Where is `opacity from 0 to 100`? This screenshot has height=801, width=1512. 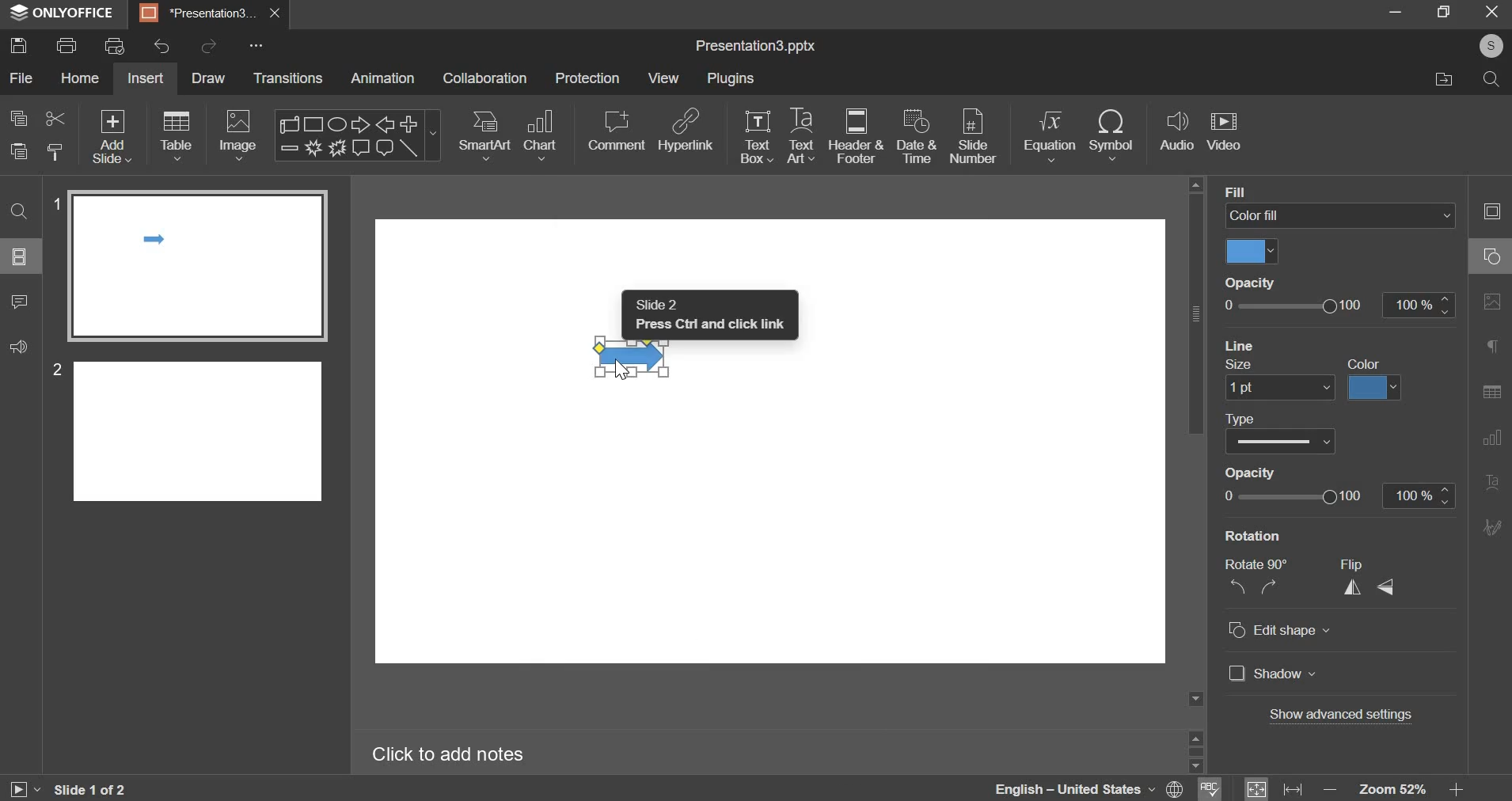
opacity from 0 to 100 is located at coordinates (1293, 495).